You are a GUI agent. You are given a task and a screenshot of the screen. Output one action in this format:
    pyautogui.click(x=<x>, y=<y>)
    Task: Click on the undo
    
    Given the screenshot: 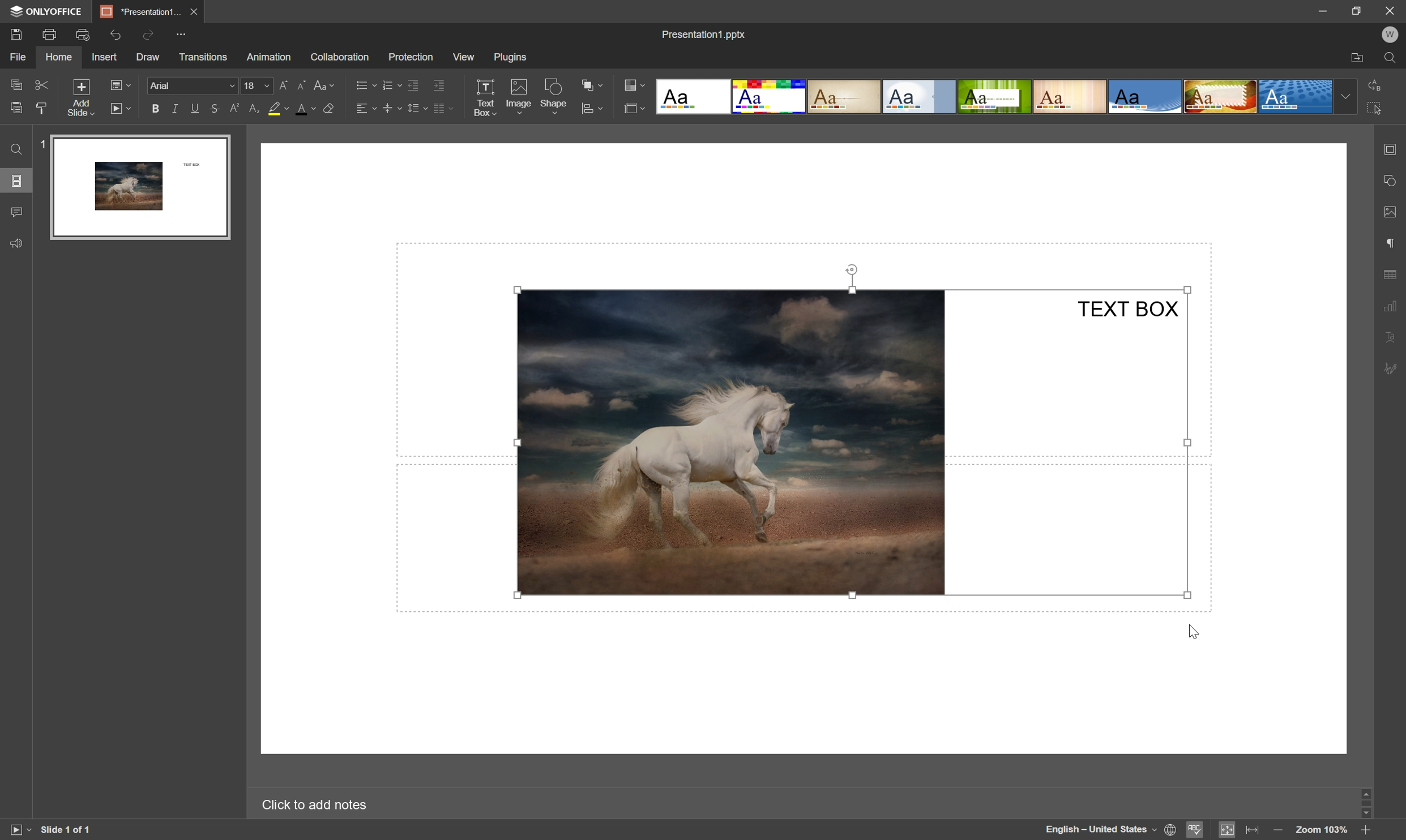 What is the action you would take?
    pyautogui.click(x=115, y=36)
    